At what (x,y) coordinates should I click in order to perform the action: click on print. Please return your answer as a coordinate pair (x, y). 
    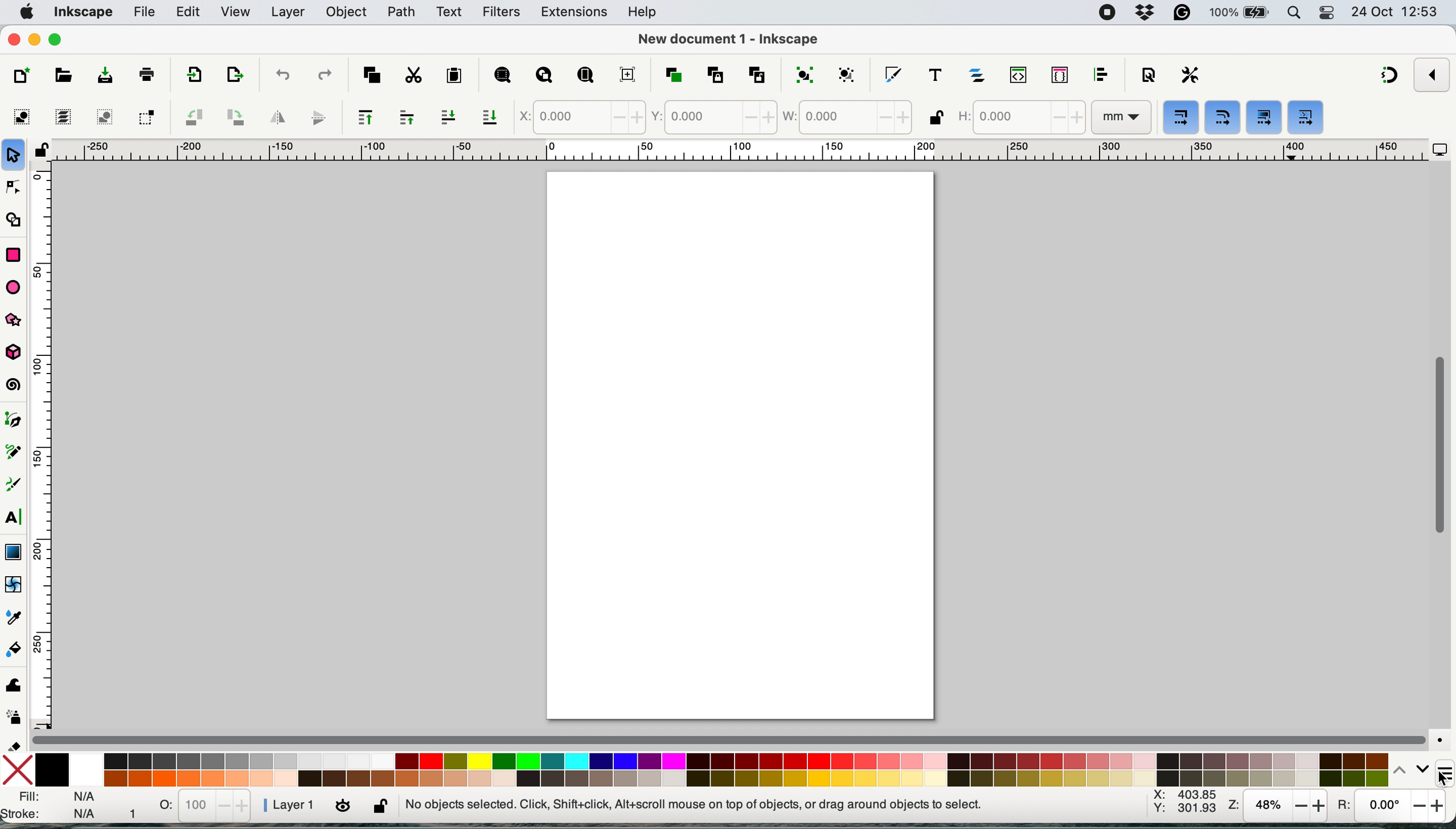
    Looking at the image, I should click on (147, 75).